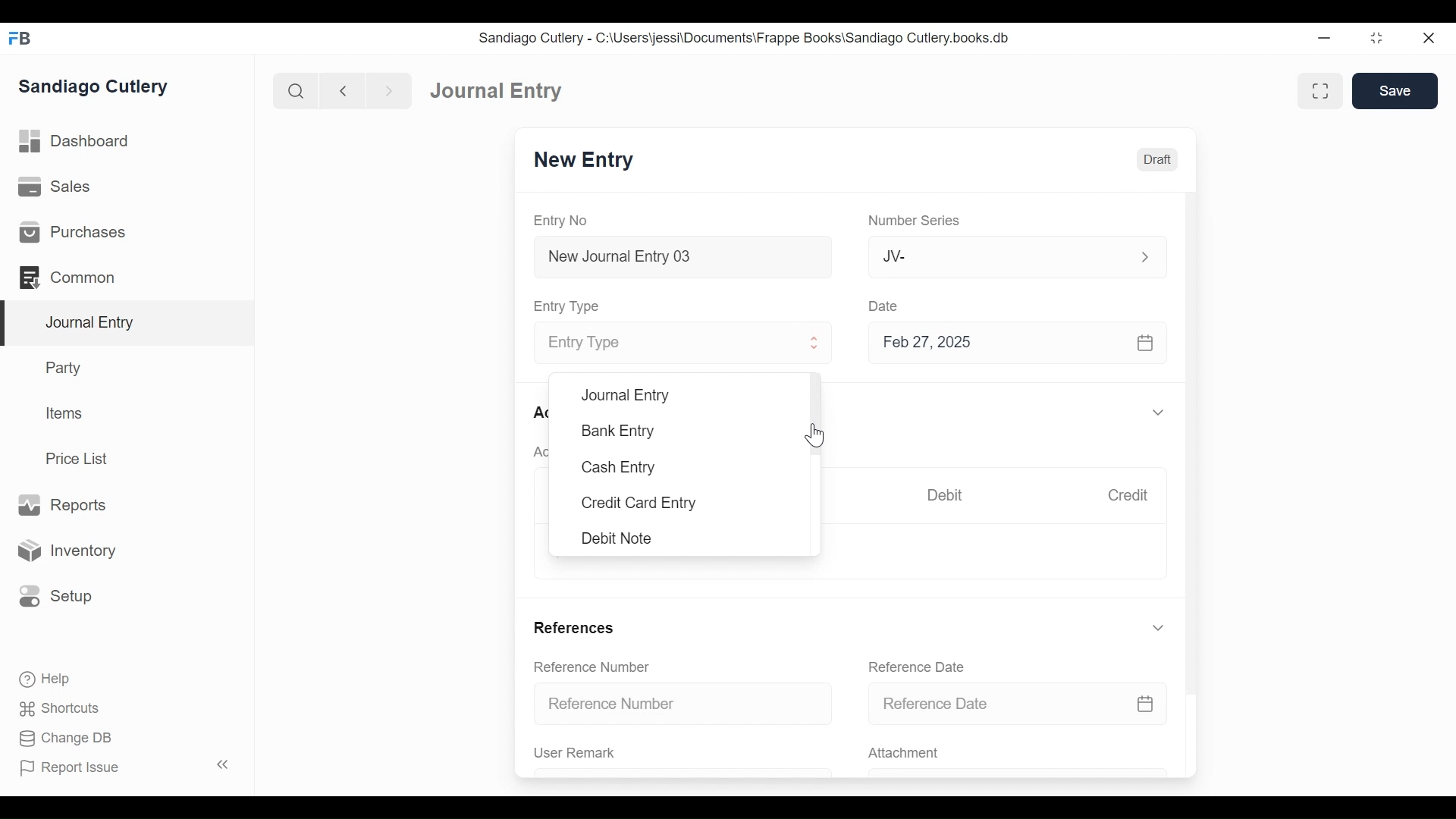  I want to click on Sandiago Cutlery, so click(96, 88).